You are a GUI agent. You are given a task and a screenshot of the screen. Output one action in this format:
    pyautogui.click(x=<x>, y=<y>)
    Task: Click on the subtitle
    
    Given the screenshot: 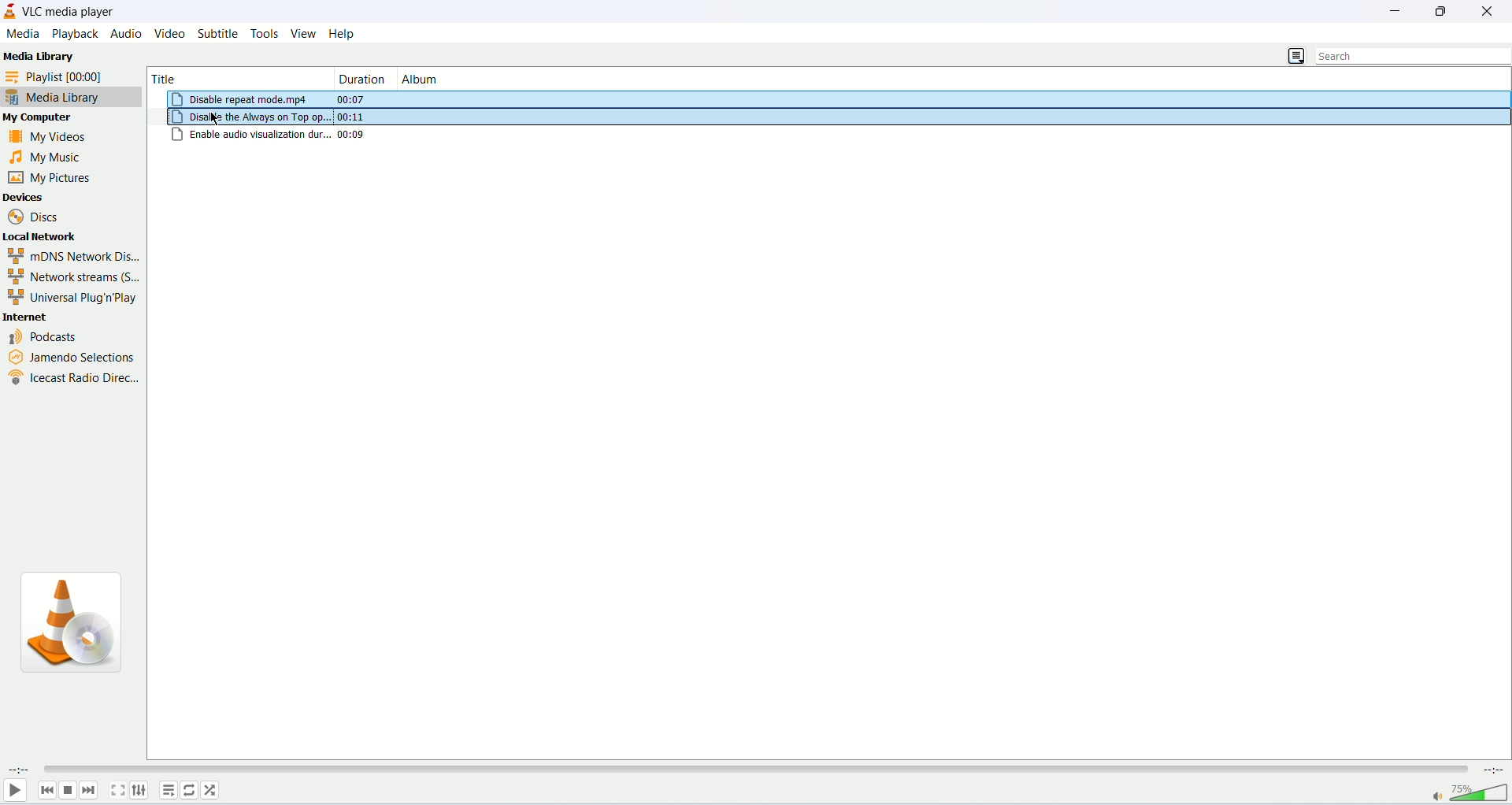 What is the action you would take?
    pyautogui.click(x=220, y=33)
    